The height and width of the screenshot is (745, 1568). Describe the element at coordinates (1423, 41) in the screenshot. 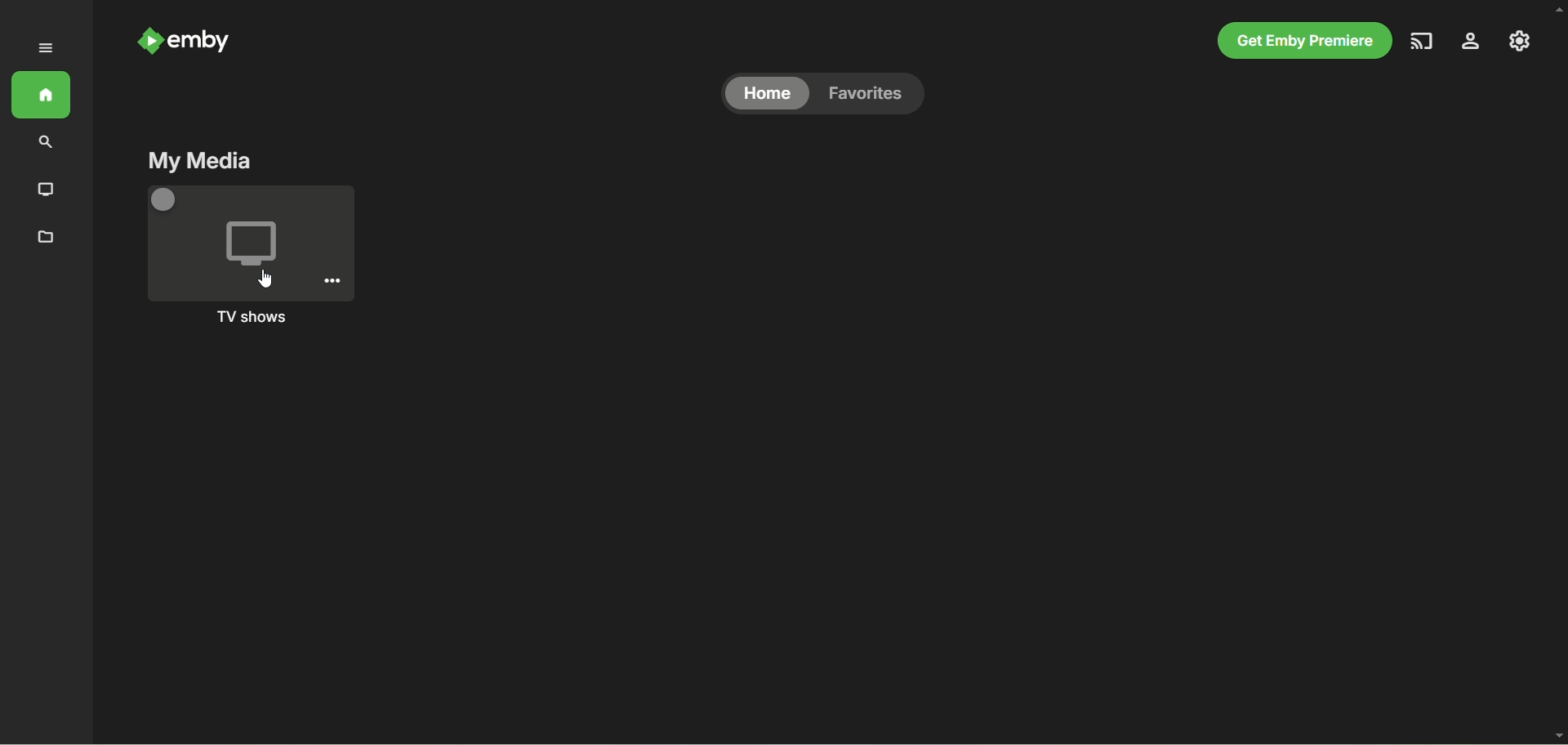

I see `play on another device` at that location.